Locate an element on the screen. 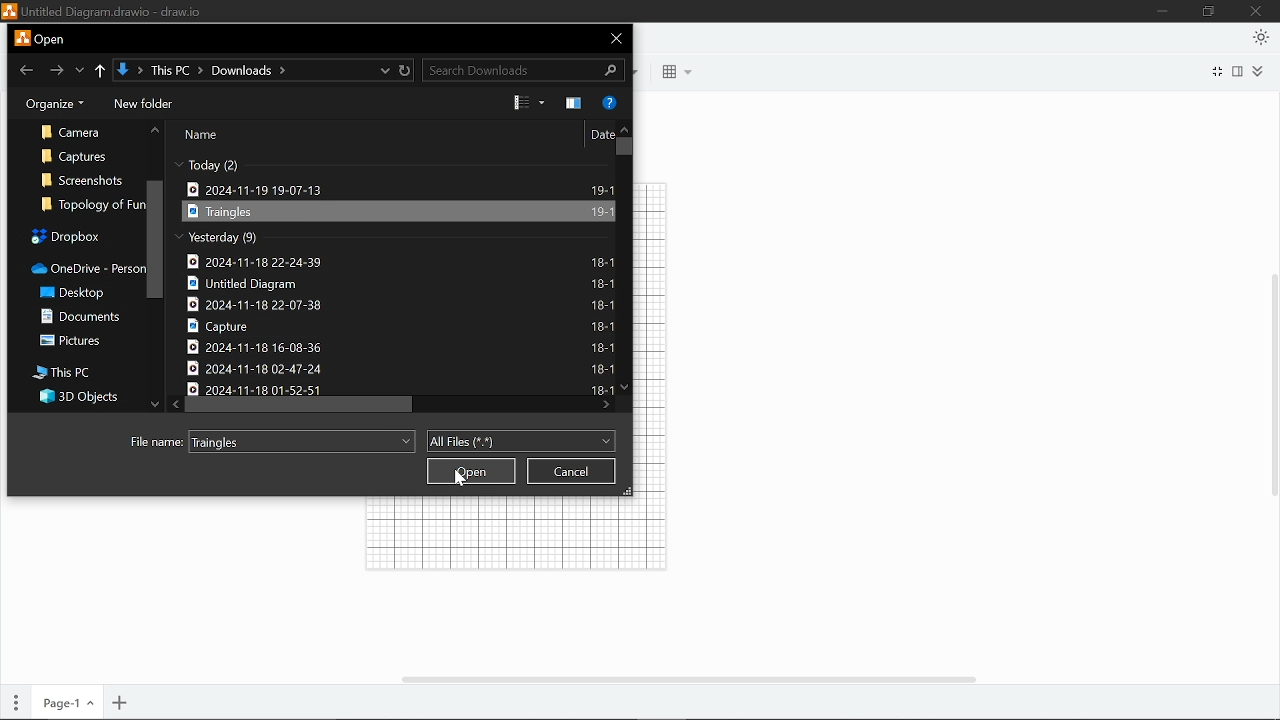 Image resolution: width=1280 pixels, height=720 pixels. horizontal scrollbar is located at coordinates (696, 676).